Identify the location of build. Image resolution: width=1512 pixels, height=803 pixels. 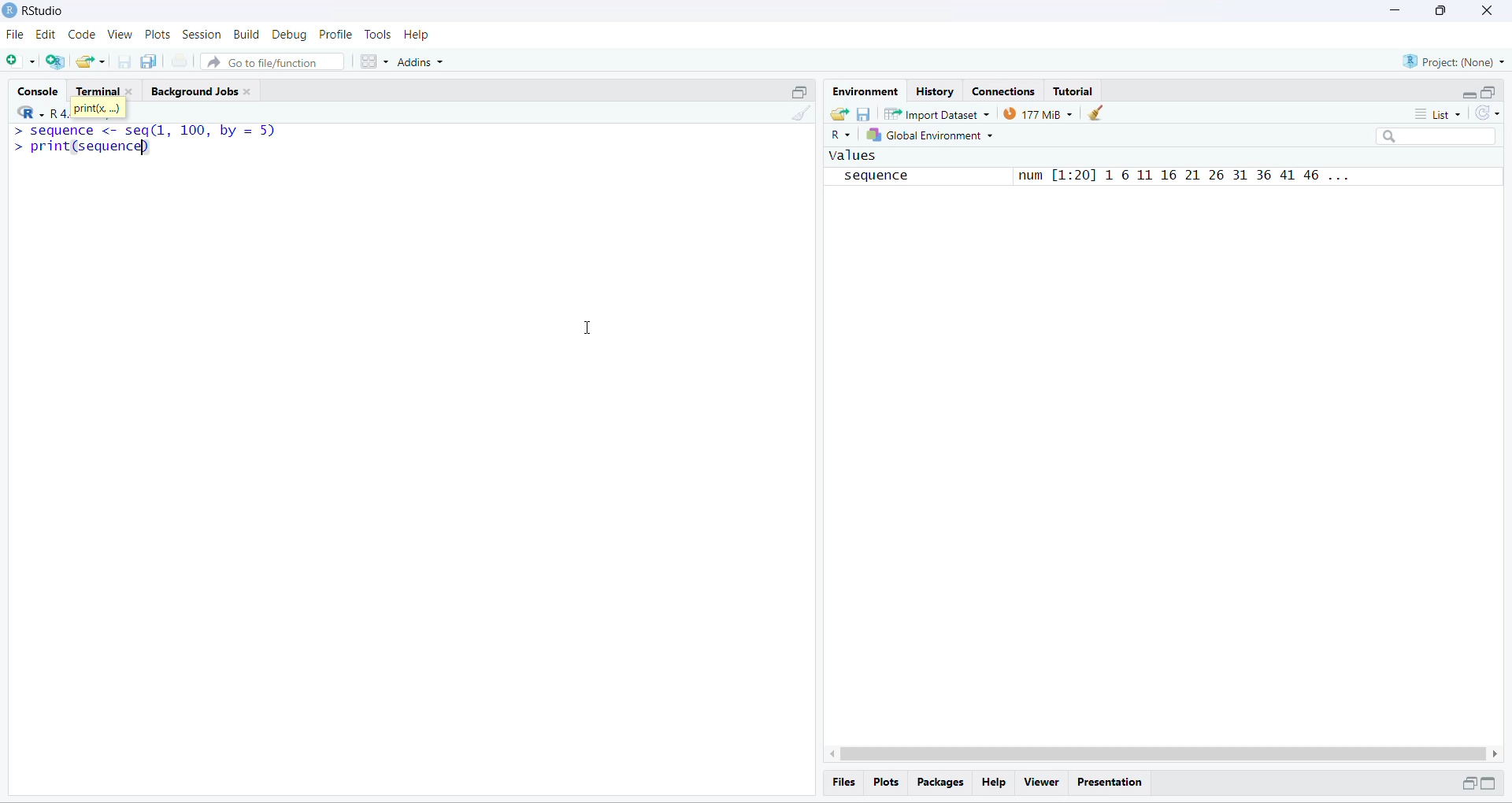
(247, 35).